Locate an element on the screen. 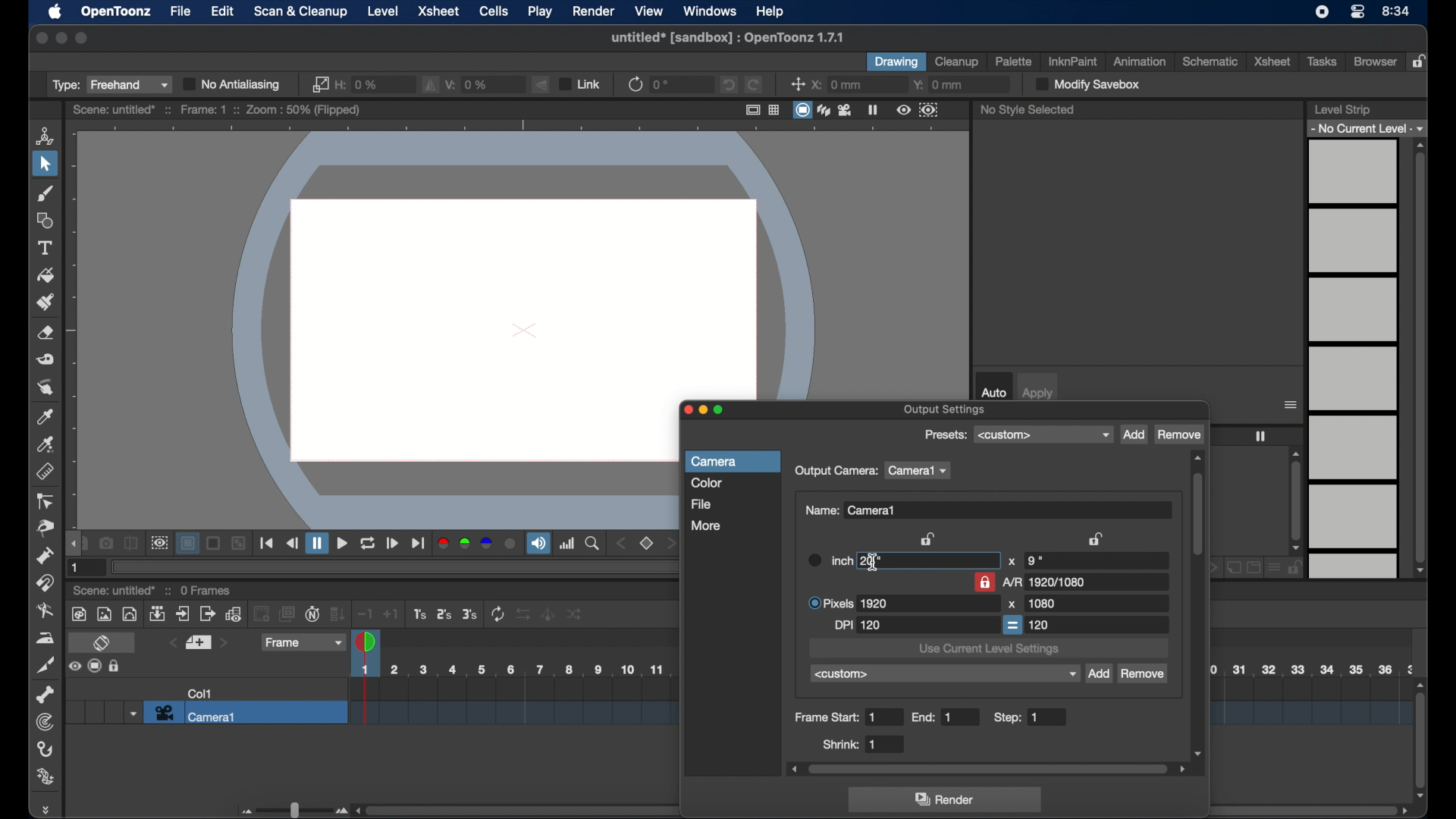 This screenshot has width=1456, height=819. histogram is located at coordinates (567, 543).